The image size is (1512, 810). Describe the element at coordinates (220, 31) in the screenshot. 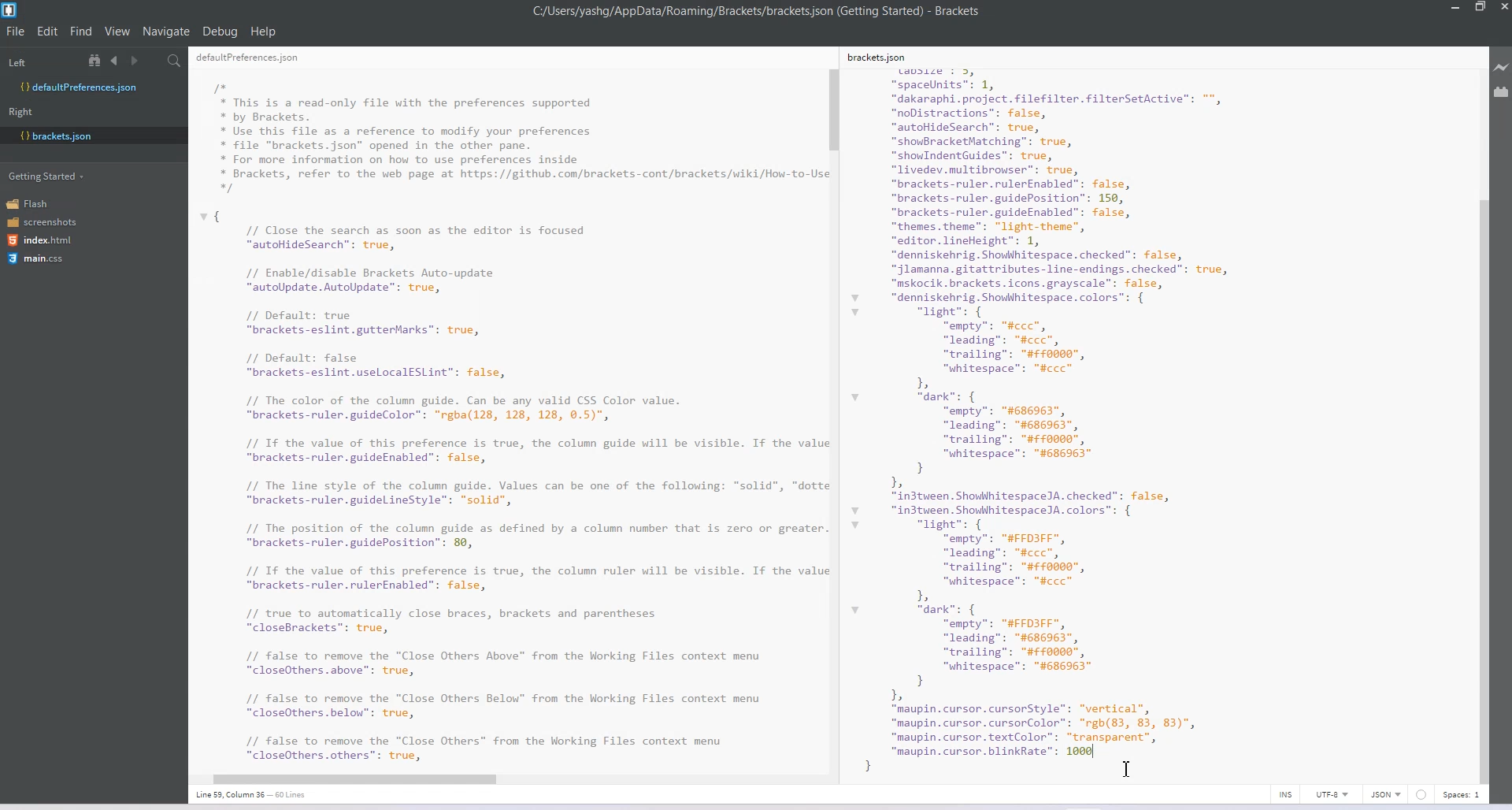

I see `Debug` at that location.